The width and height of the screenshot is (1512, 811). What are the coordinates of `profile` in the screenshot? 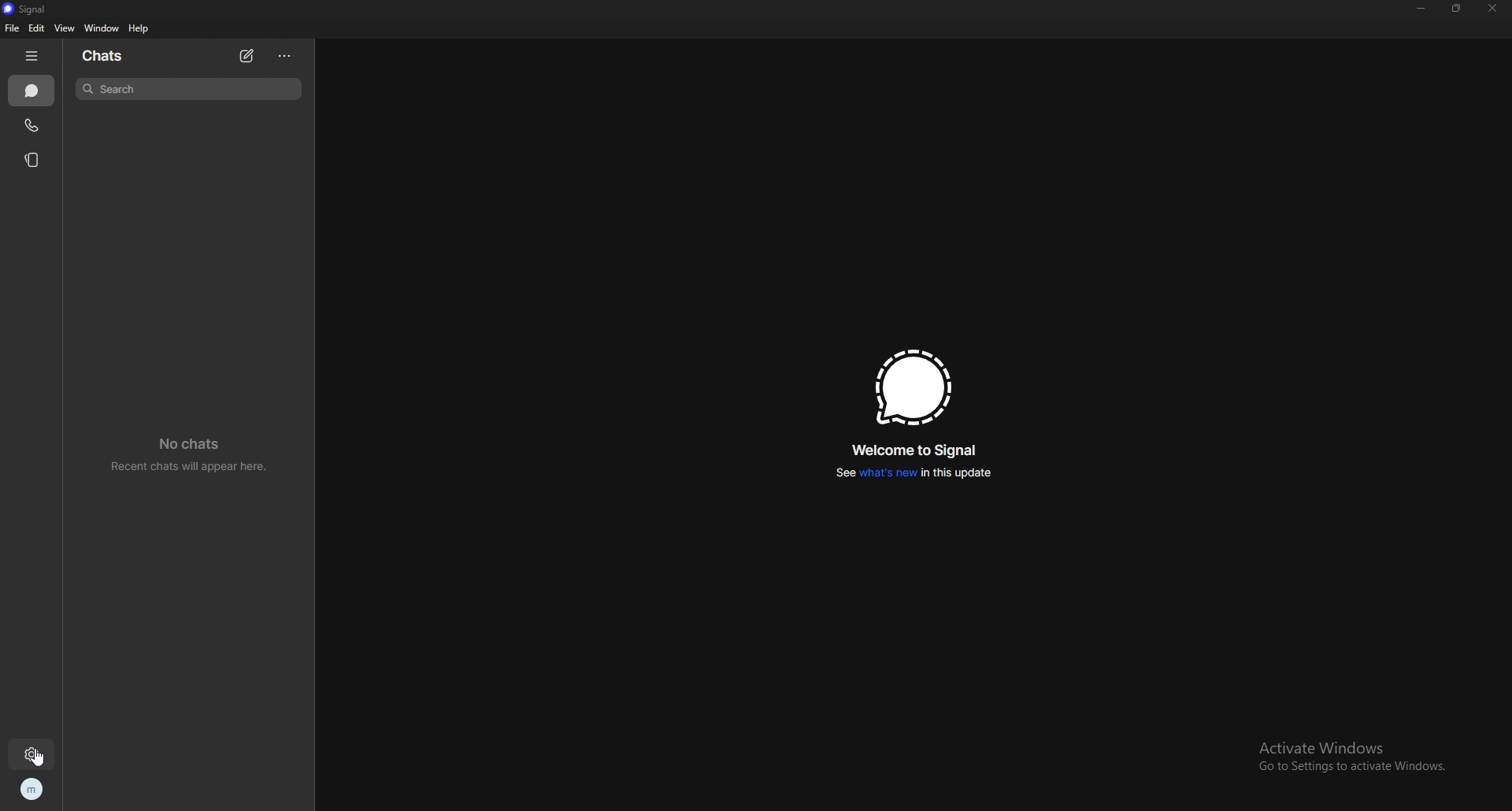 It's located at (30, 791).